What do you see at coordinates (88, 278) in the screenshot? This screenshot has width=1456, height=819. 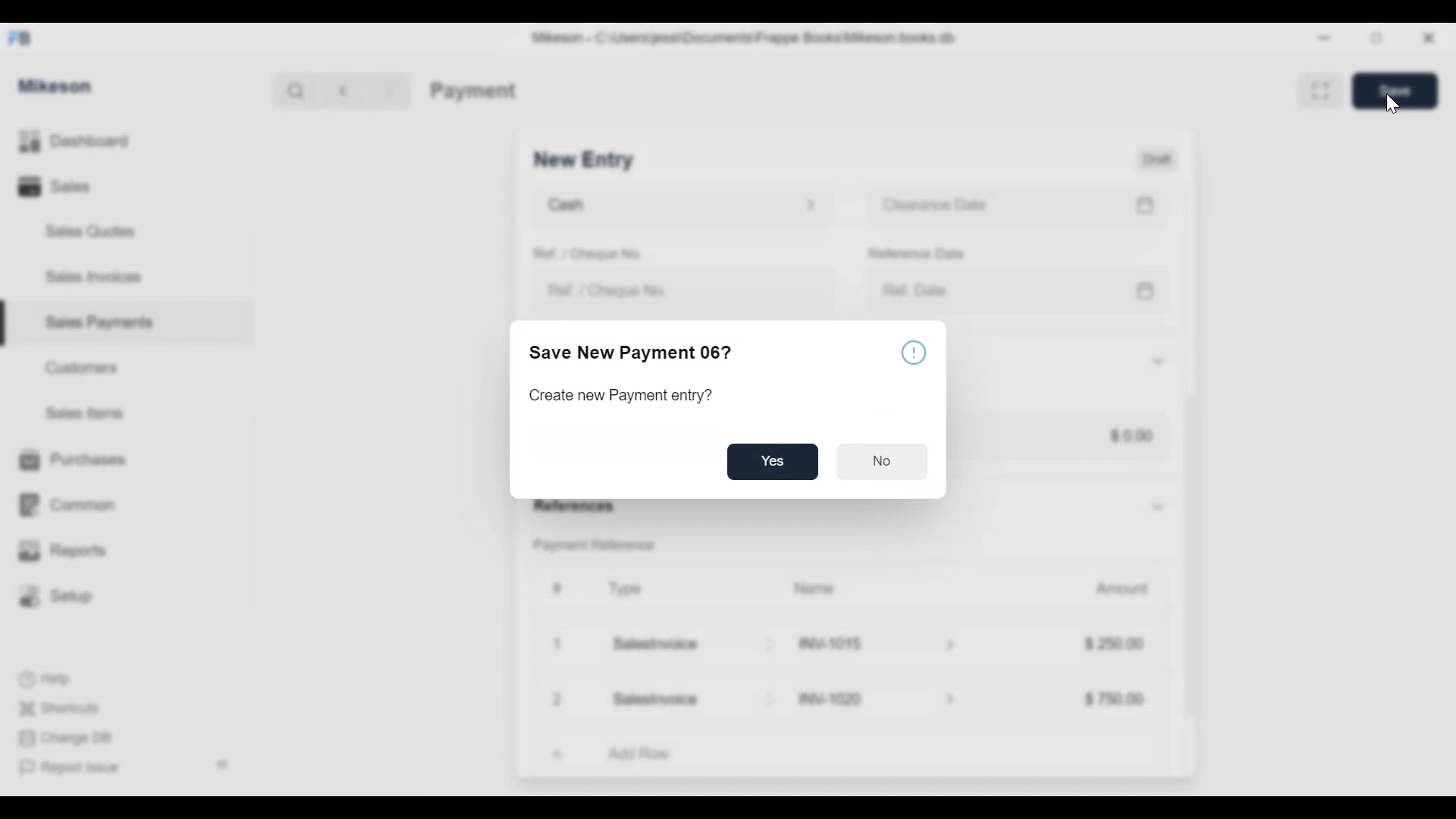 I see `Sales Invoices` at bounding box center [88, 278].